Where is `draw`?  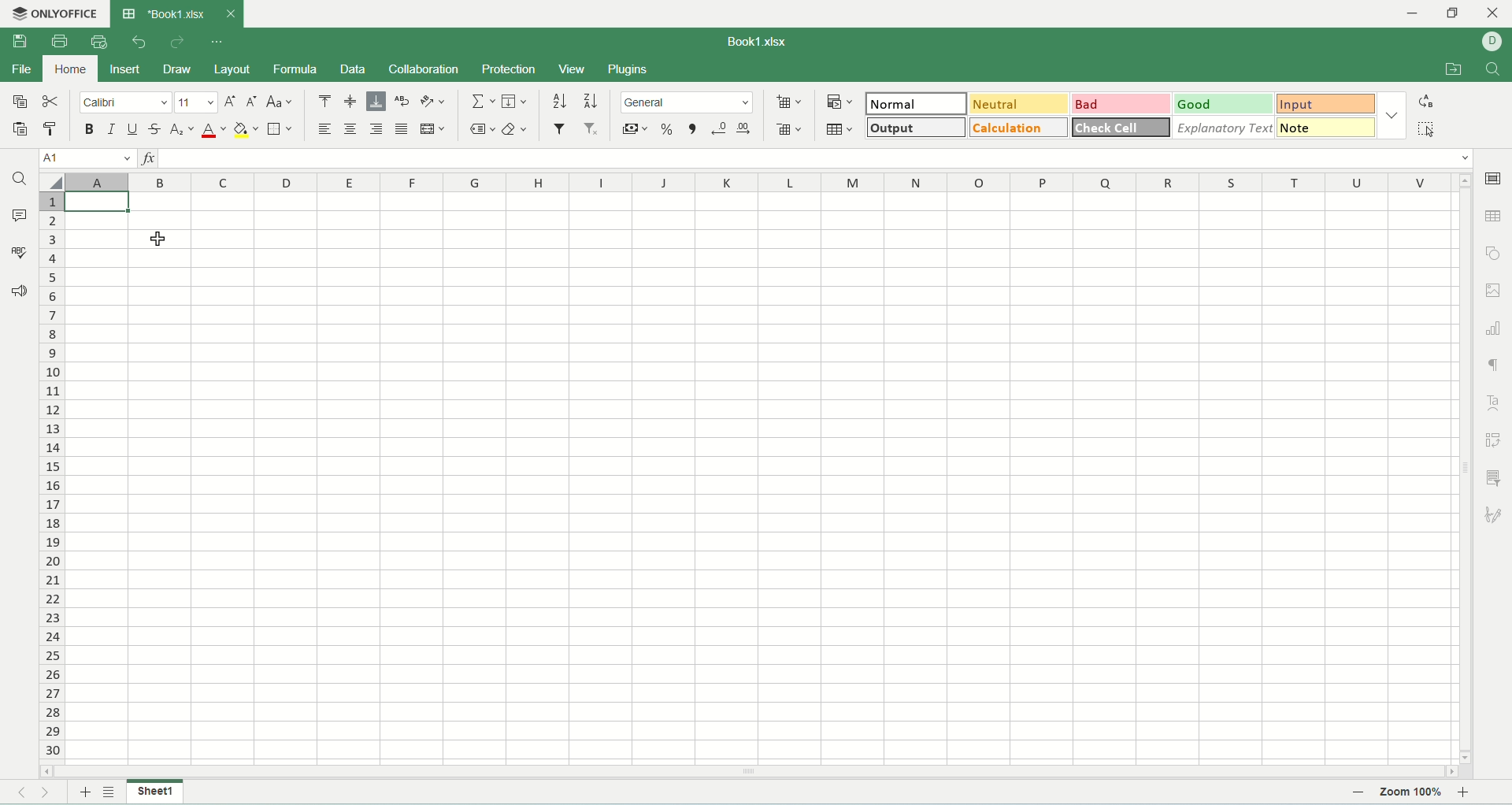
draw is located at coordinates (176, 69).